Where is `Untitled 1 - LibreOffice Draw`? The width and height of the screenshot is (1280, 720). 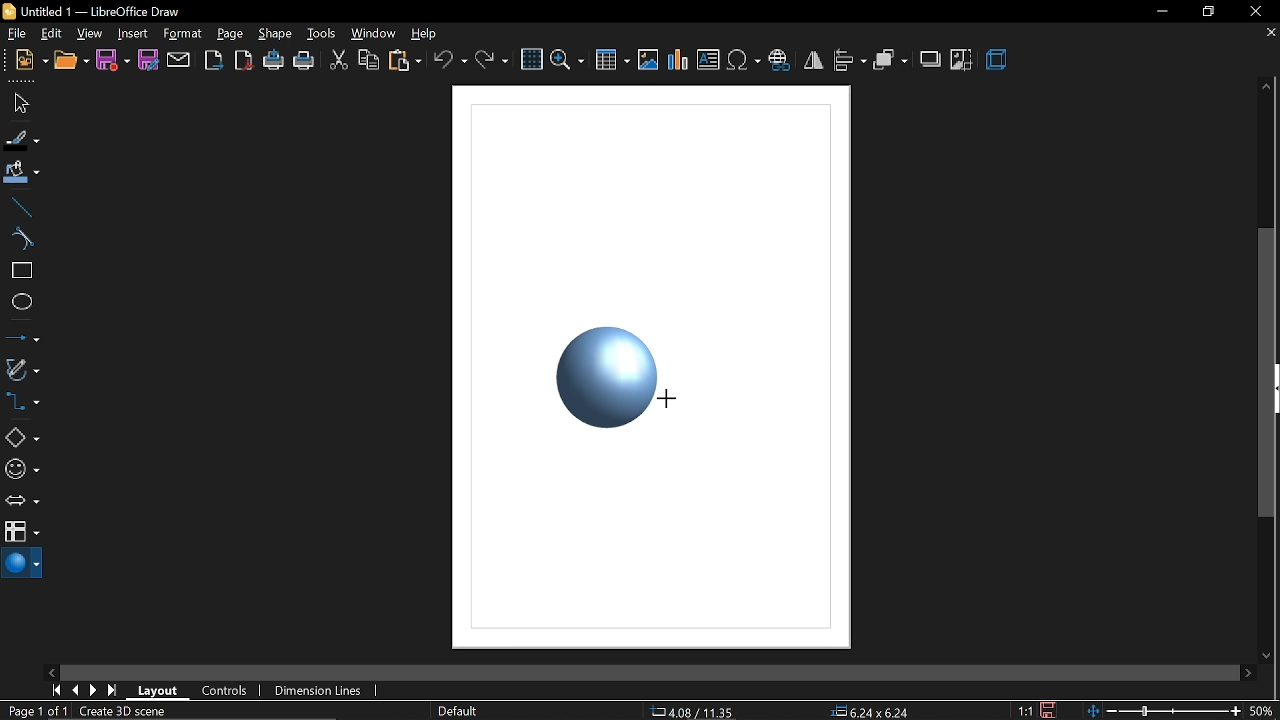
Untitled 1 - LibreOffice Draw is located at coordinates (91, 9).